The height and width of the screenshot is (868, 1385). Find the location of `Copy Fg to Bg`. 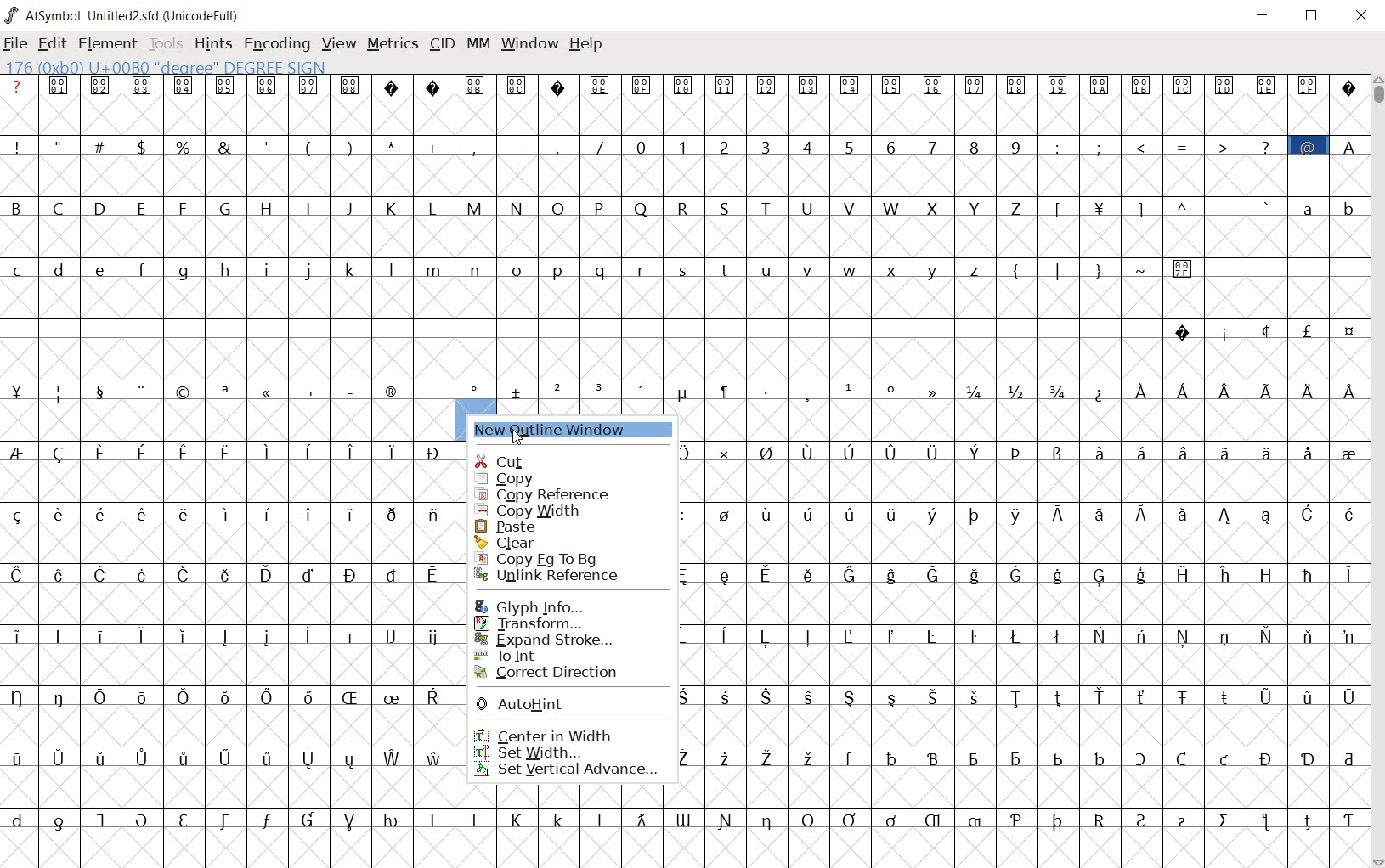

Copy Fg to Bg is located at coordinates (568, 560).